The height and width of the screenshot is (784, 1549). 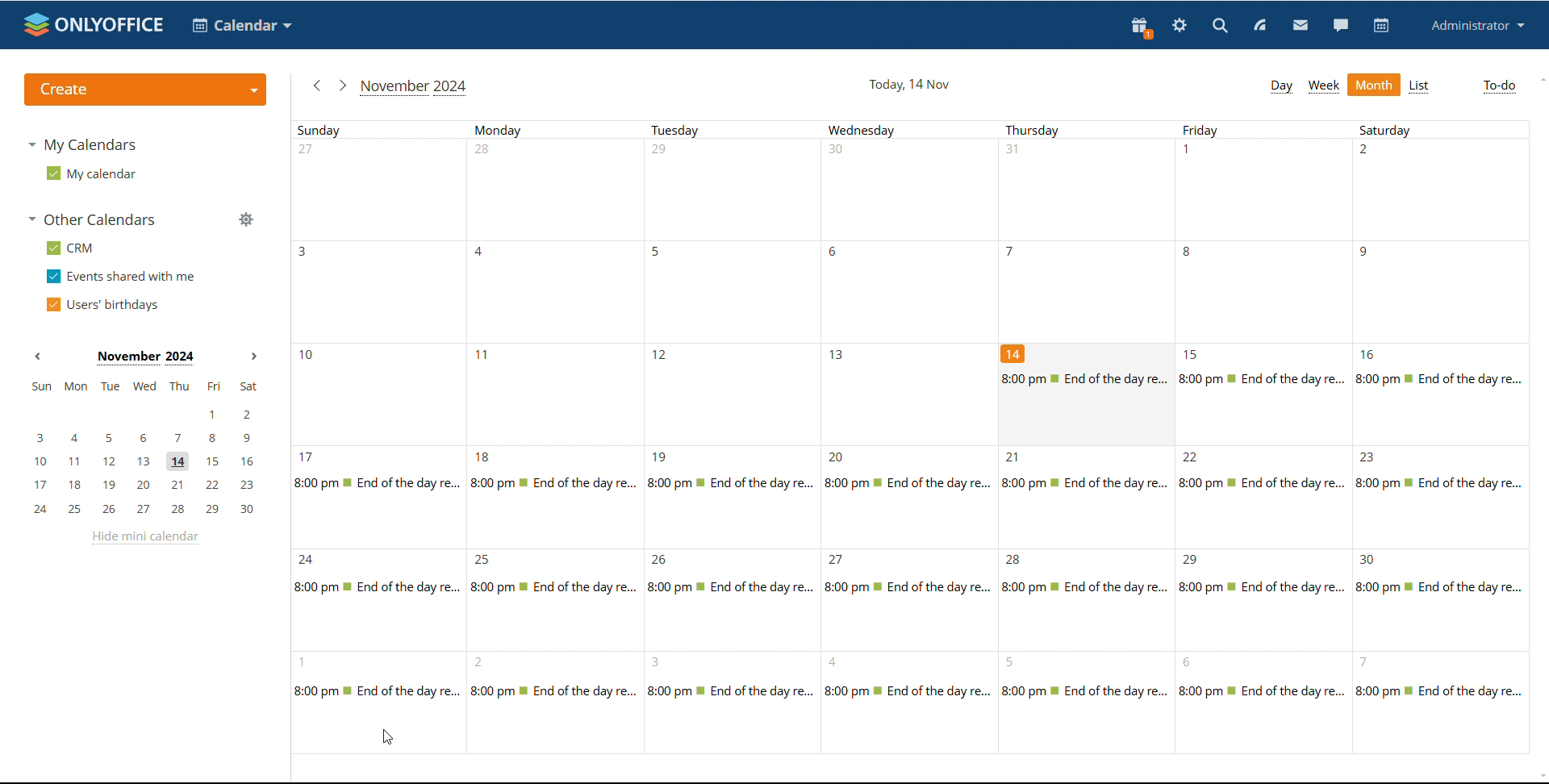 I want to click on to-do, so click(x=1498, y=87).